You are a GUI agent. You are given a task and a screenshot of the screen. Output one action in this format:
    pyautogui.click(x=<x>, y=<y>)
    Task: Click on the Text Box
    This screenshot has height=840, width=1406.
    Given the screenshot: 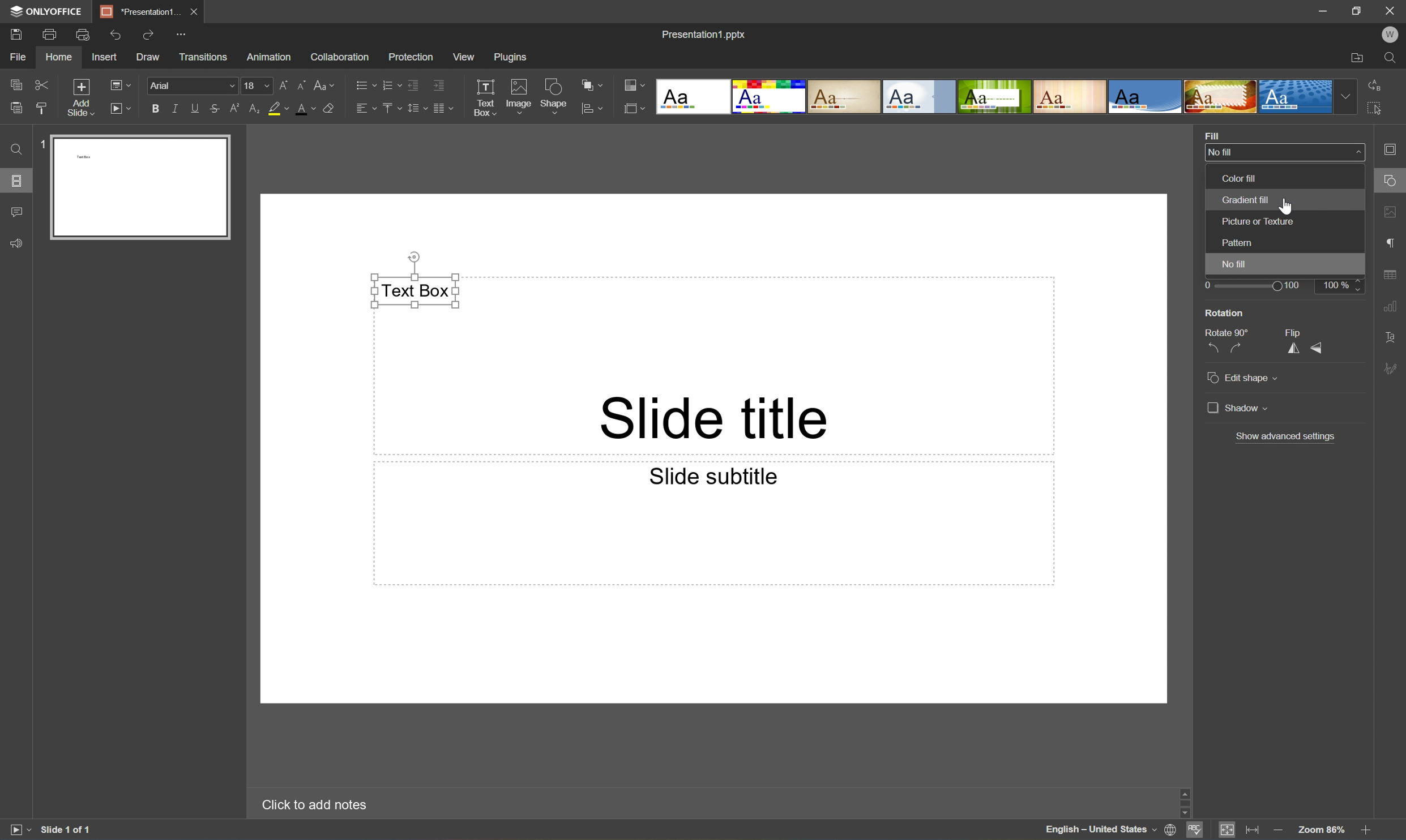 What is the action you would take?
    pyautogui.click(x=482, y=97)
    